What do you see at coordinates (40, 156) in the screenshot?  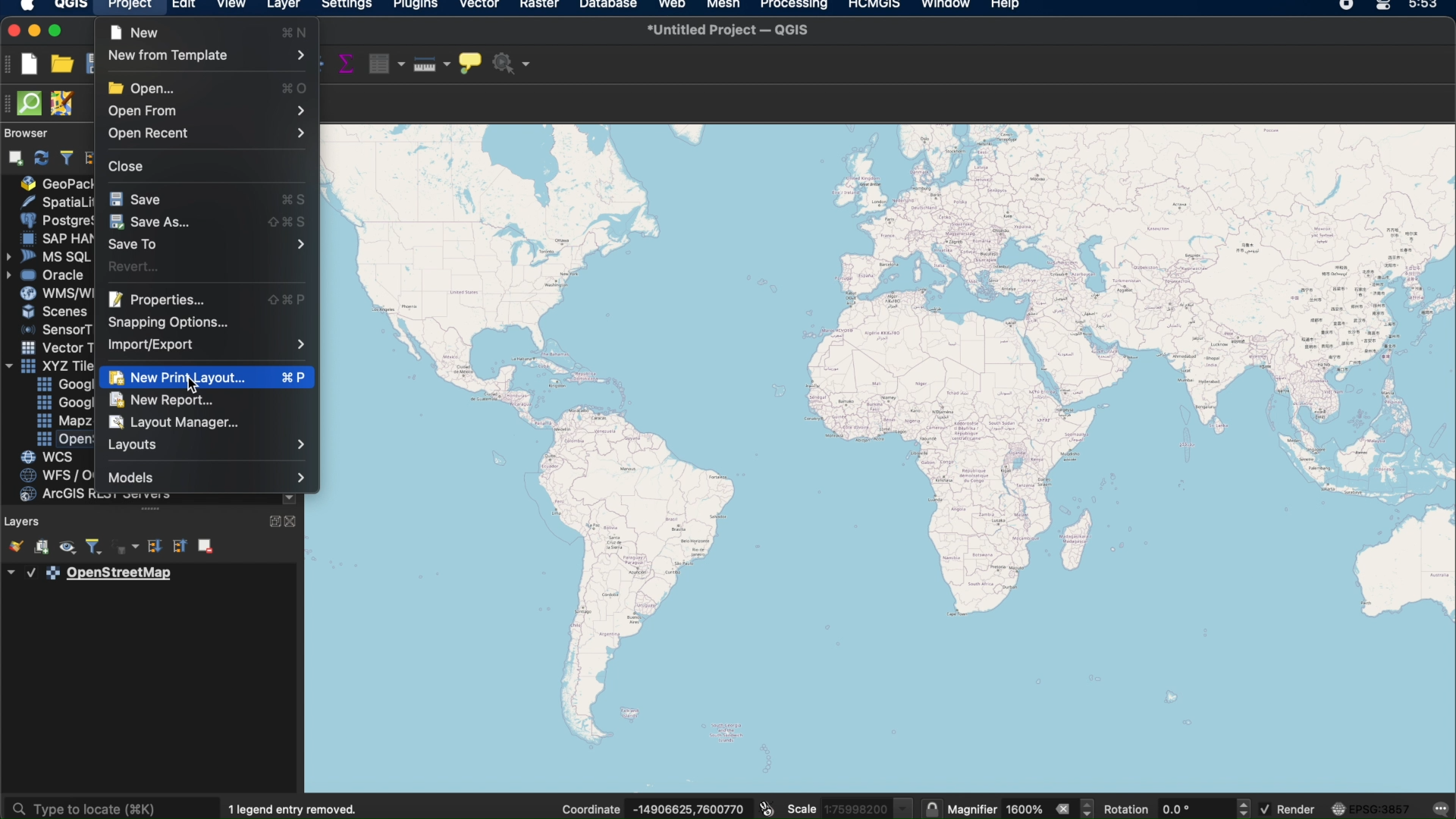 I see `refresh` at bounding box center [40, 156].